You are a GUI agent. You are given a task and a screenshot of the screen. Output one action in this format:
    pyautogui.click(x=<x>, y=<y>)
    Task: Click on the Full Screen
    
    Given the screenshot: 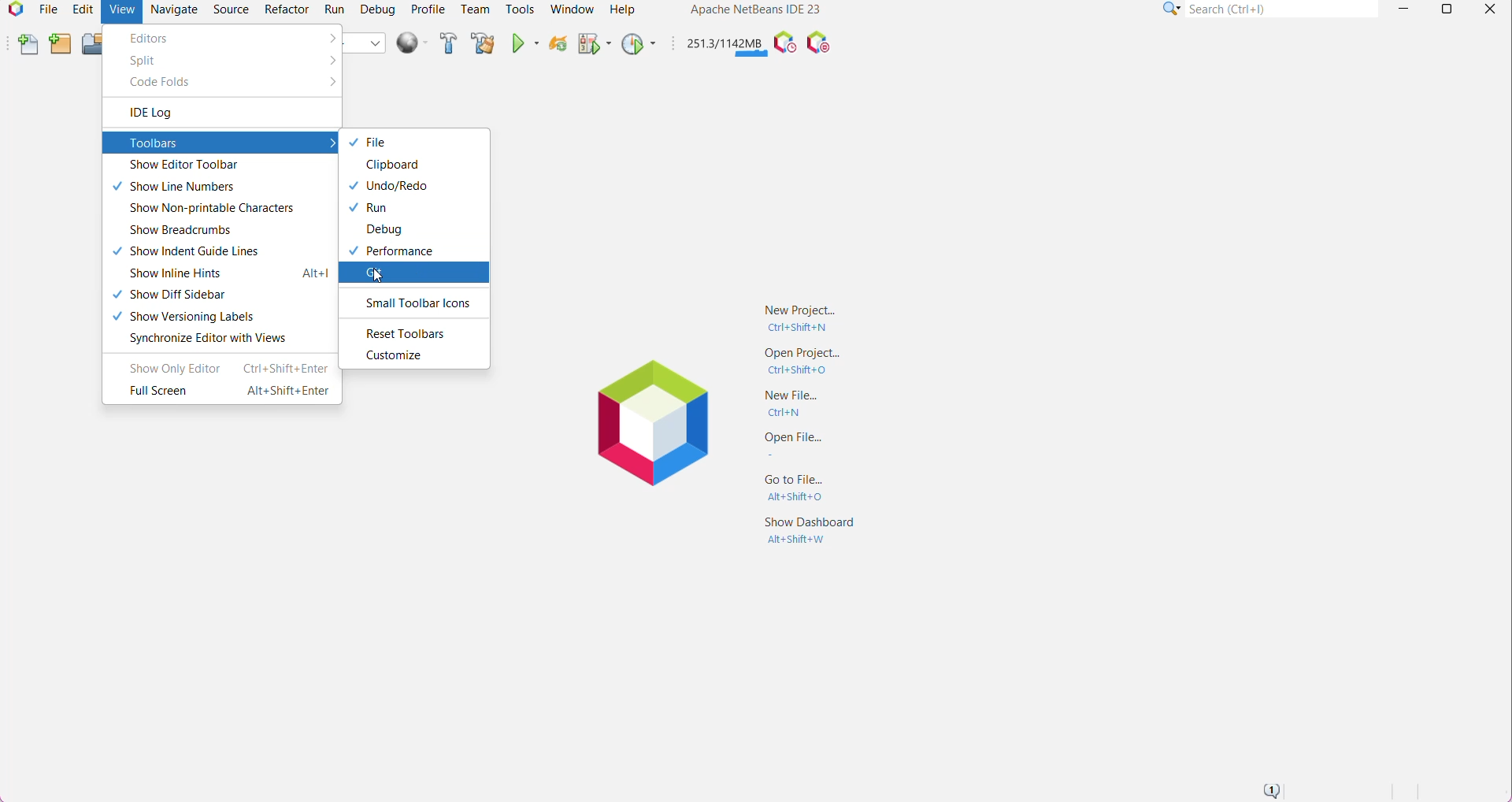 What is the action you would take?
    pyautogui.click(x=226, y=392)
    